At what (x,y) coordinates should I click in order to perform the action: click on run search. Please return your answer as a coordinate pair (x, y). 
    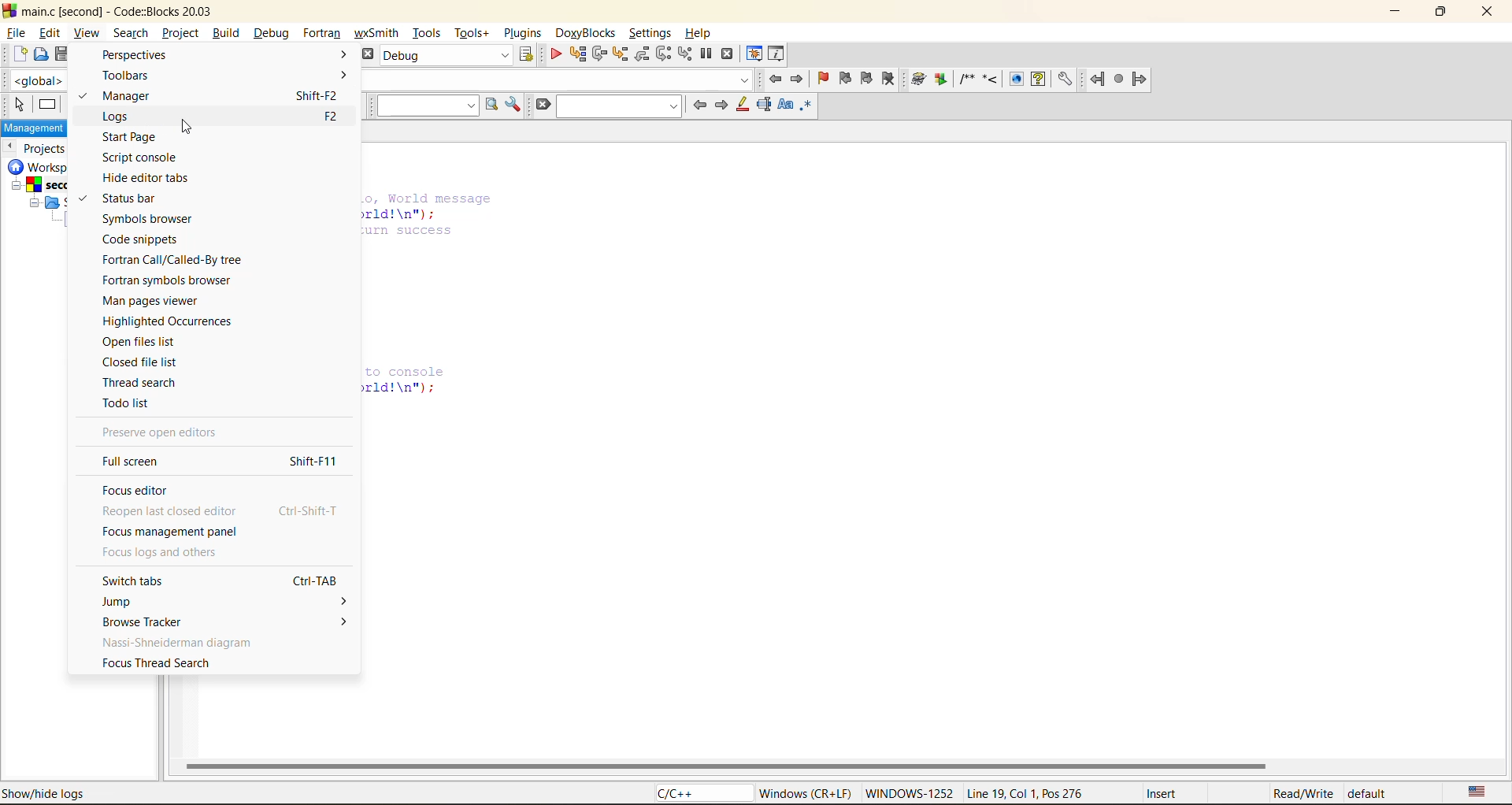
    Looking at the image, I should click on (494, 106).